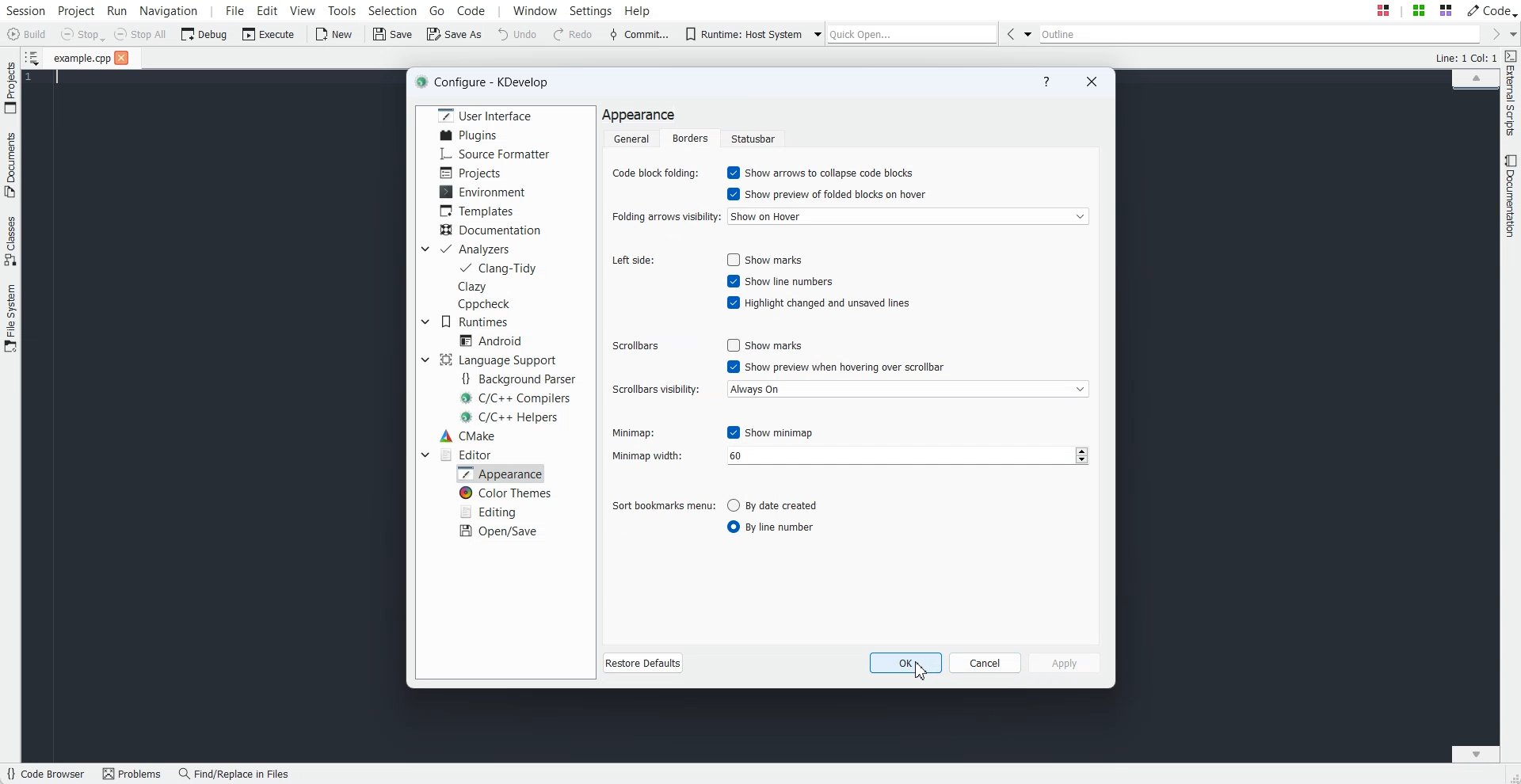 This screenshot has height=784, width=1521. I want to click on Clazy, so click(473, 287).